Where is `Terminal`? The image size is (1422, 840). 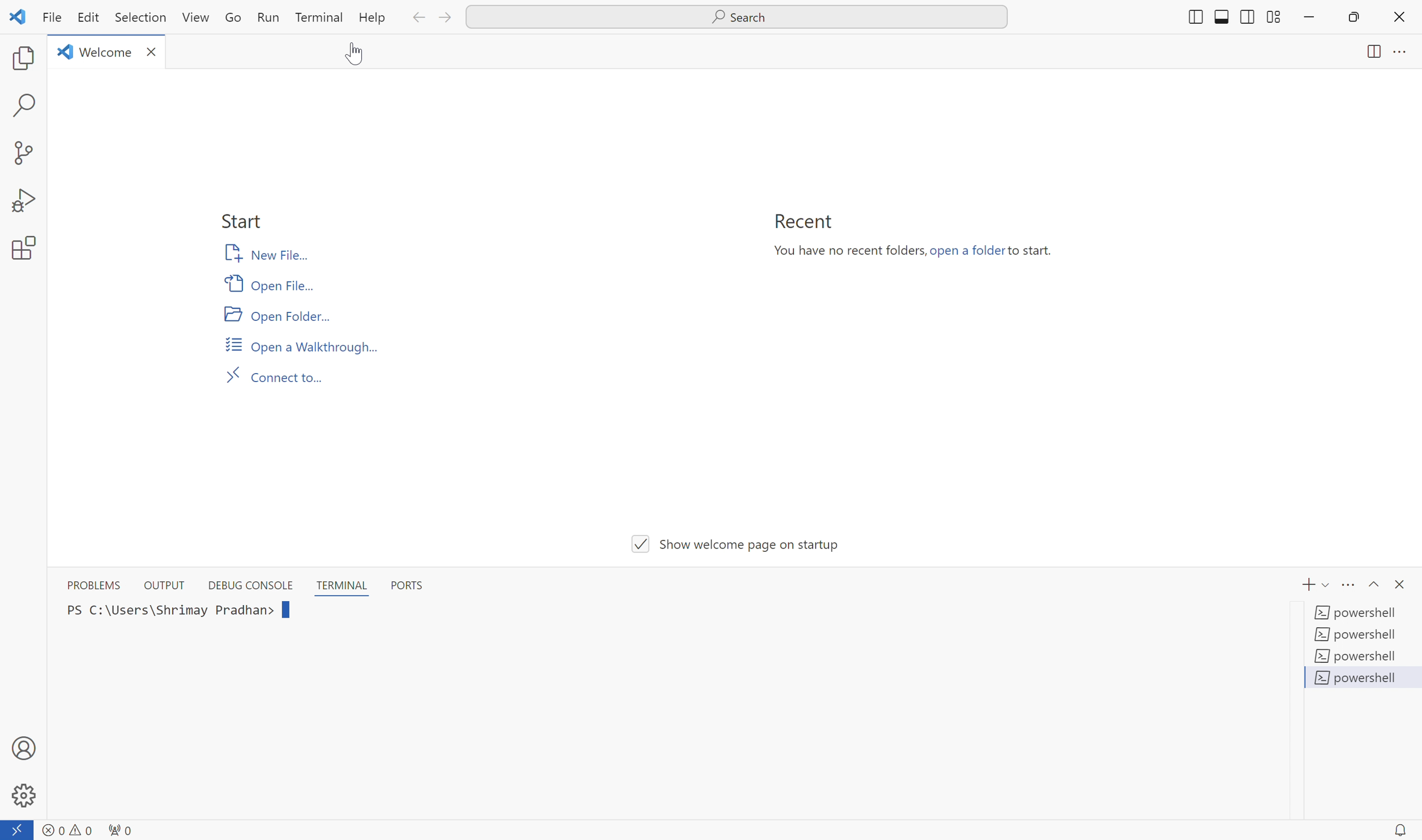
Terminal is located at coordinates (317, 18).